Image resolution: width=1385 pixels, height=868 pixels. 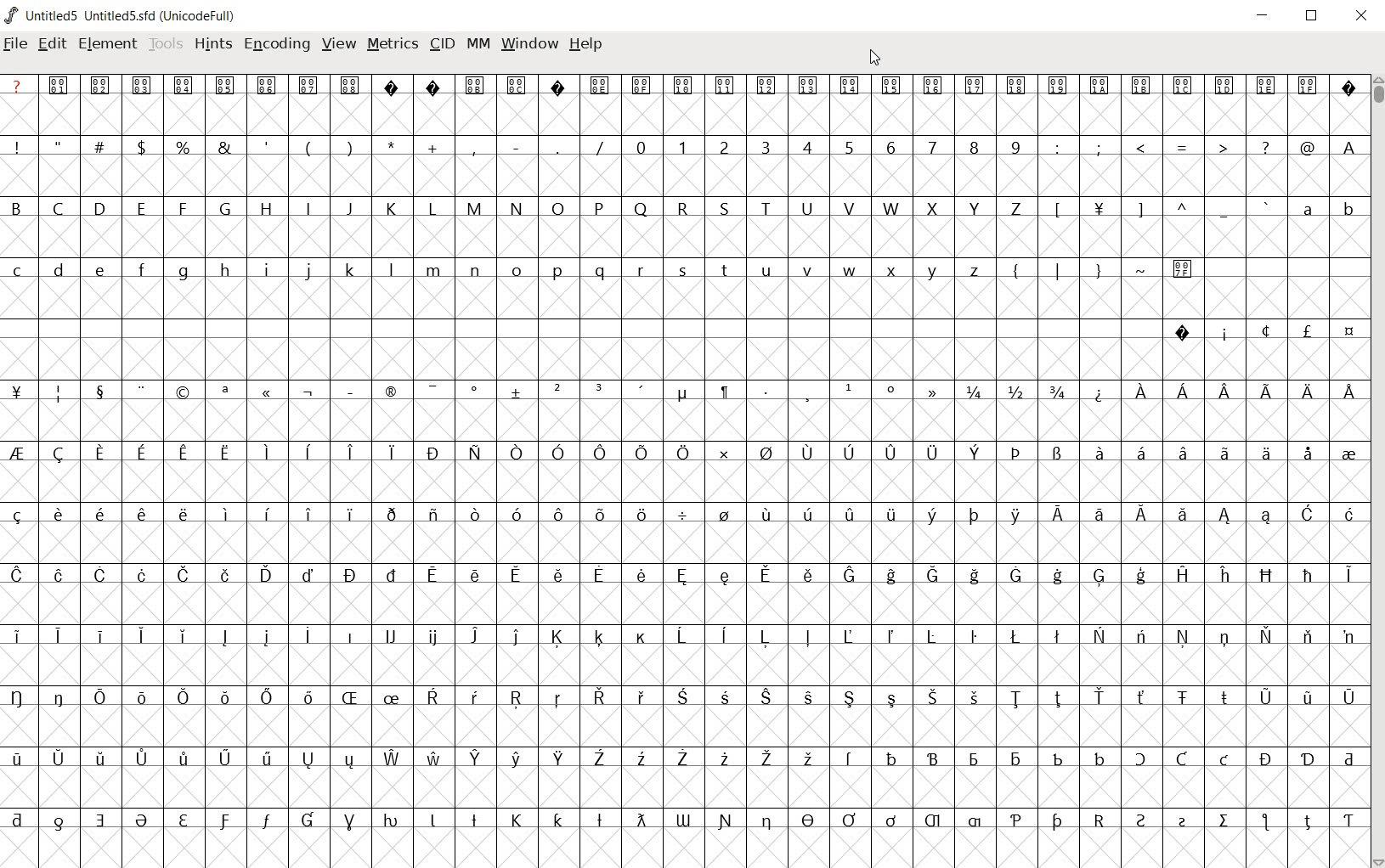 I want to click on H, so click(x=267, y=209).